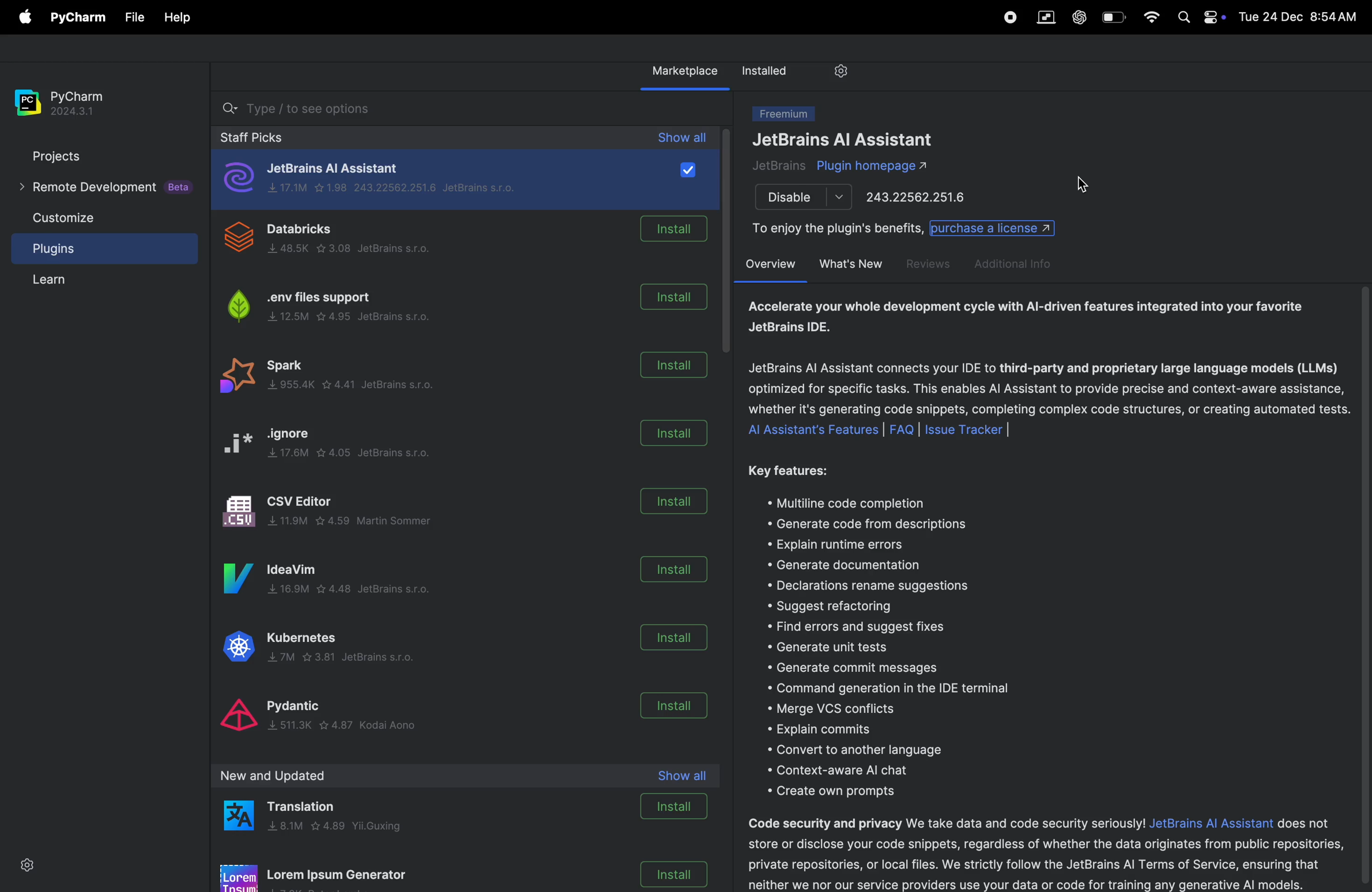  What do you see at coordinates (1009, 17) in the screenshot?
I see `record` at bounding box center [1009, 17].